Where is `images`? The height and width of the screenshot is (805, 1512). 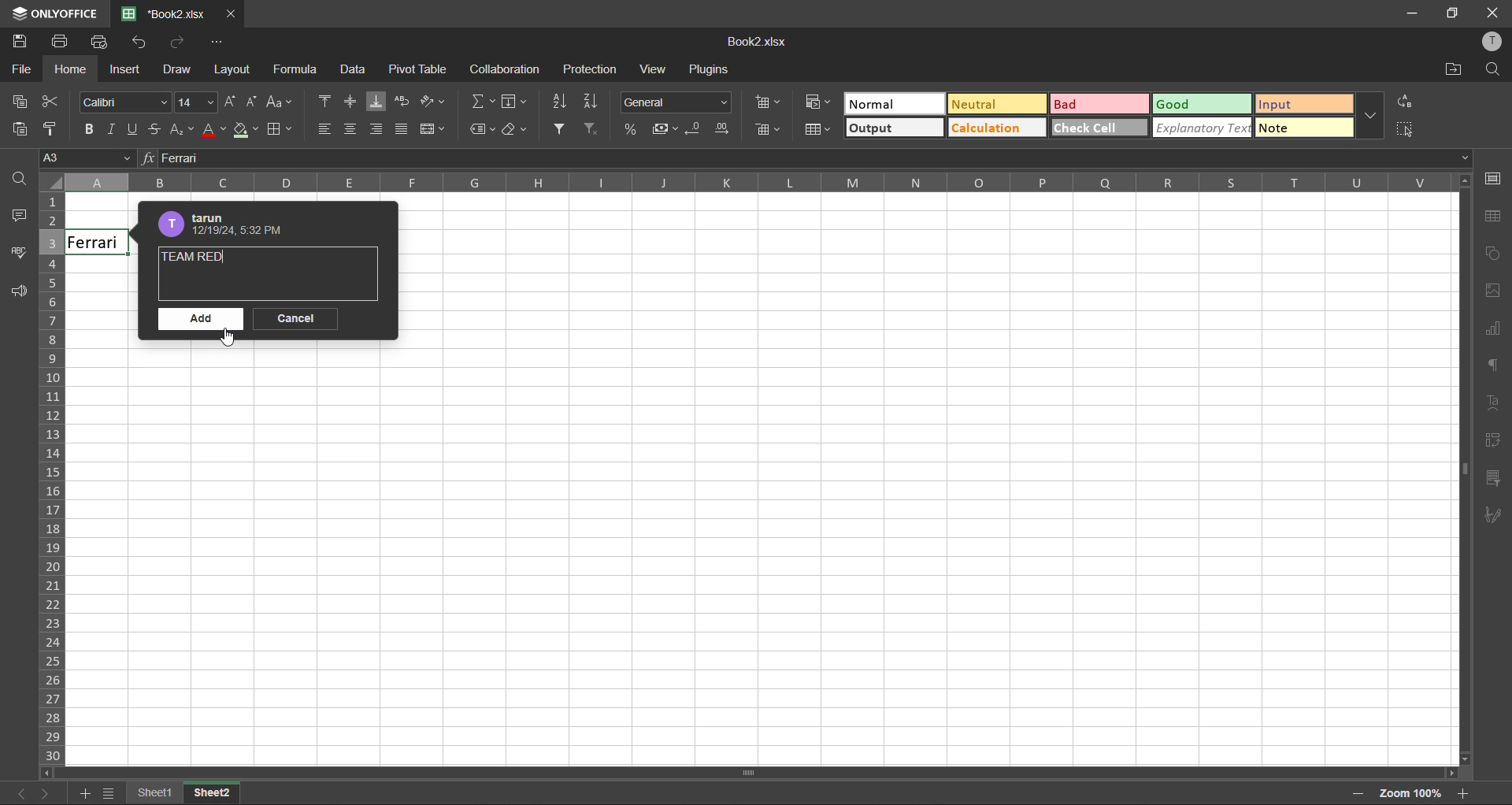 images is located at coordinates (1497, 294).